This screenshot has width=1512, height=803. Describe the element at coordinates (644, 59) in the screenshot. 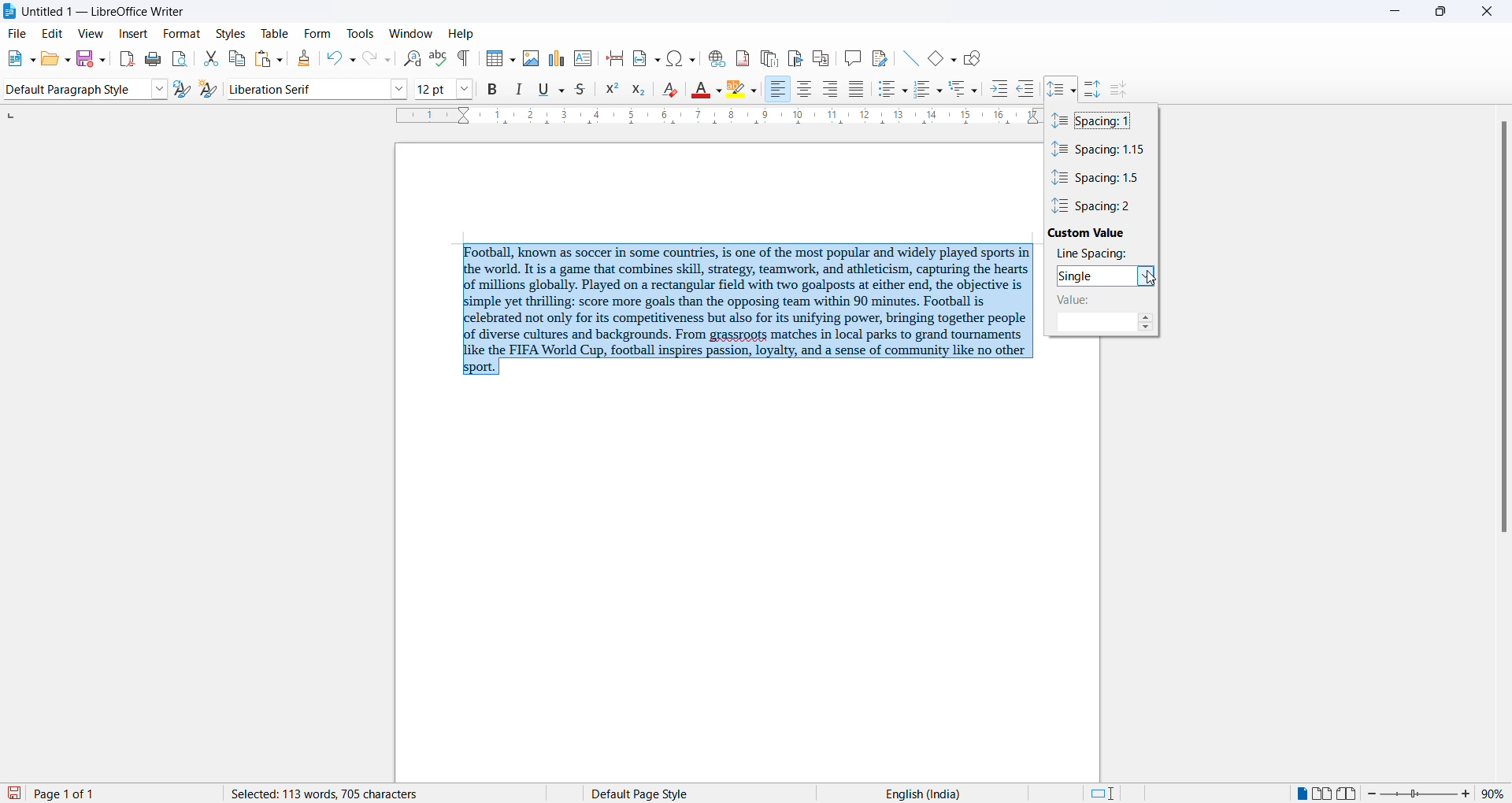

I see `insert field` at that location.